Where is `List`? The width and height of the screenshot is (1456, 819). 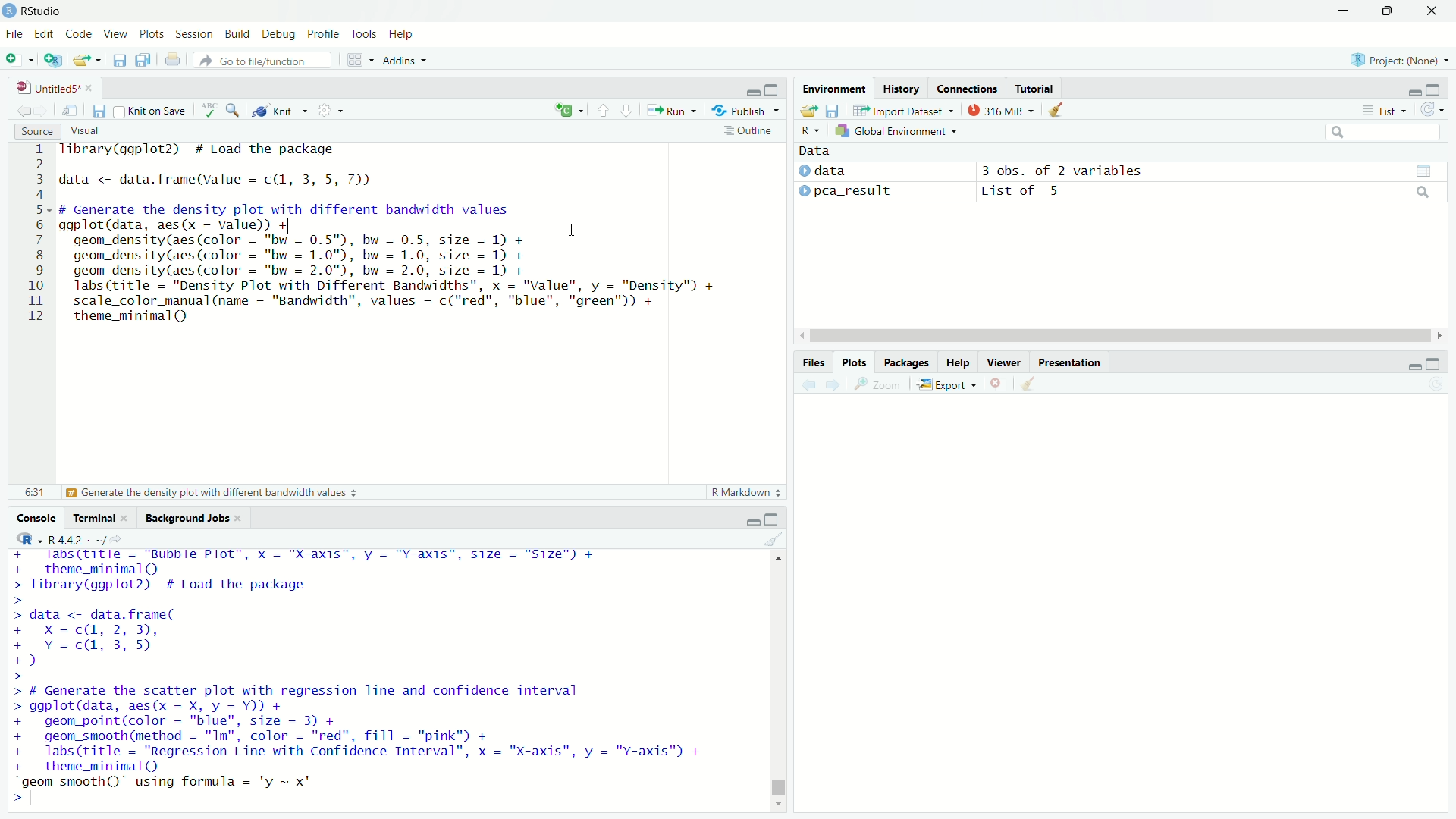 List is located at coordinates (1385, 110).